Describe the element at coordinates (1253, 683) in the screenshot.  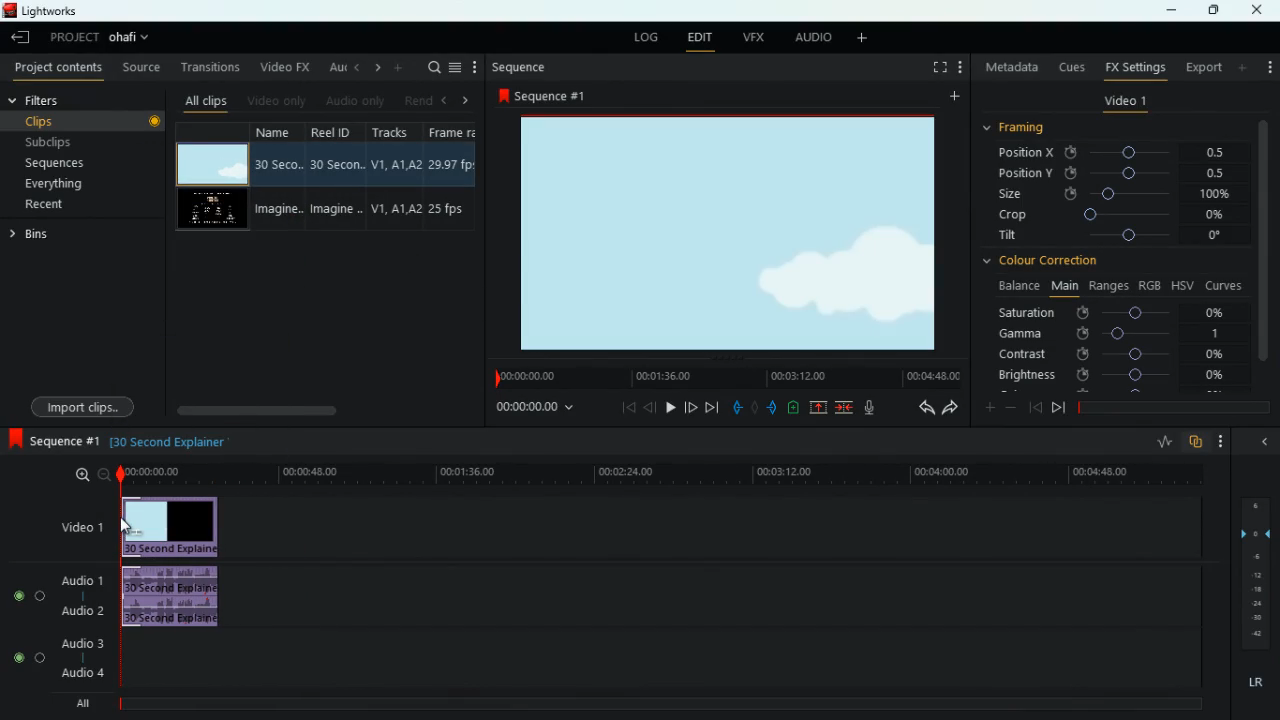
I see `lr` at that location.